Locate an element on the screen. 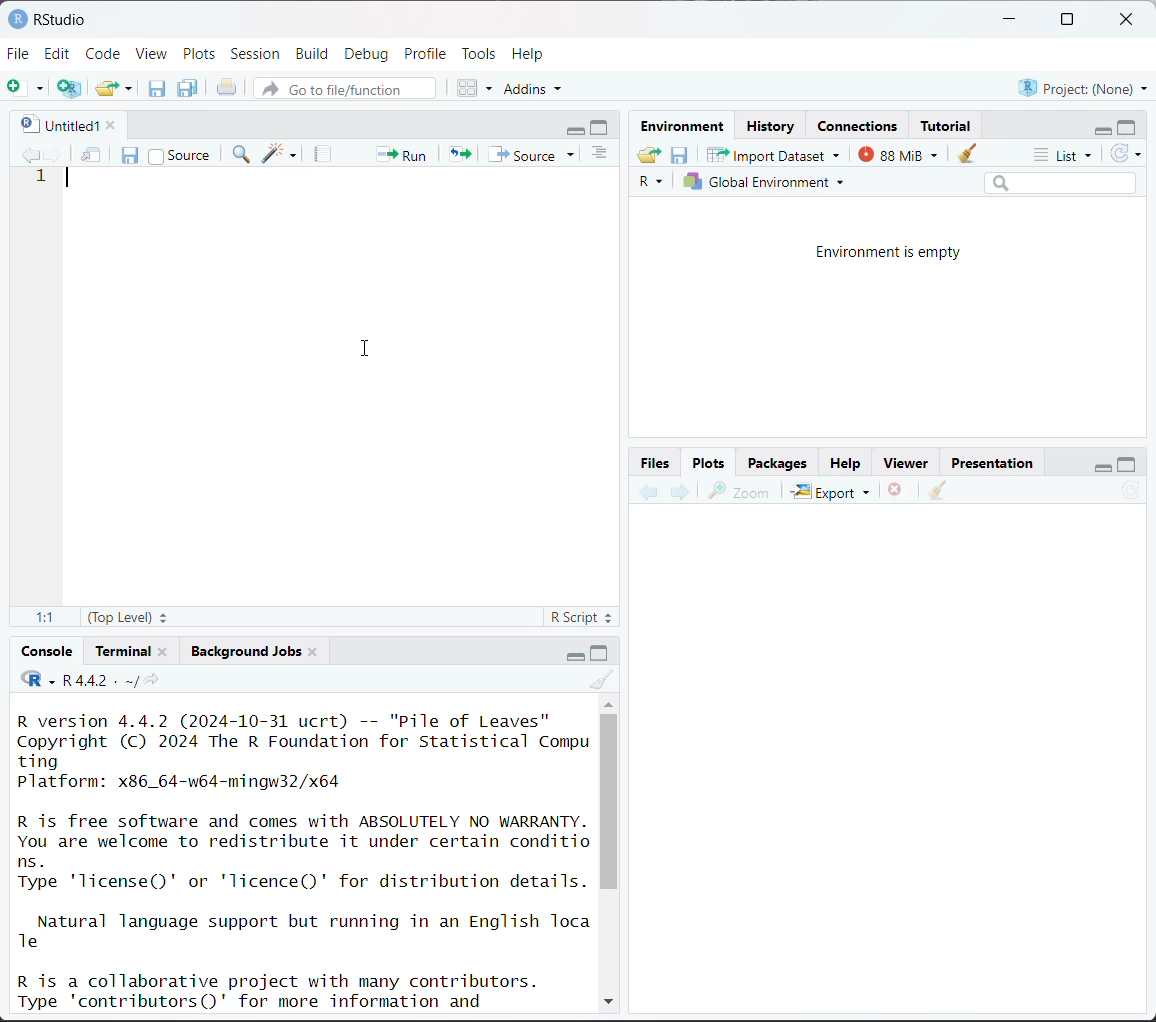 The height and width of the screenshot is (1022, 1156). Export is located at coordinates (832, 491).